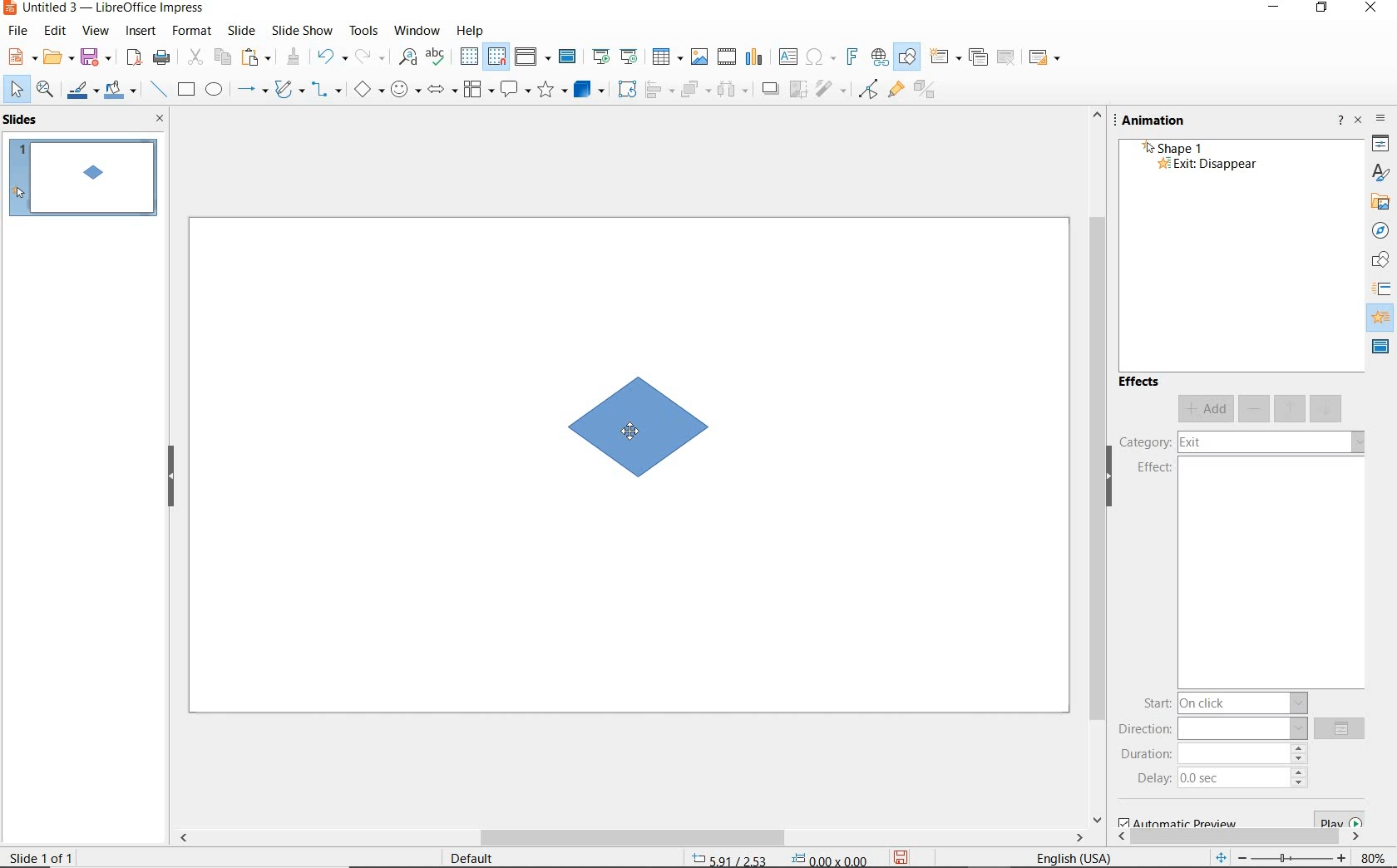  Describe the element at coordinates (531, 57) in the screenshot. I see `display views` at that location.